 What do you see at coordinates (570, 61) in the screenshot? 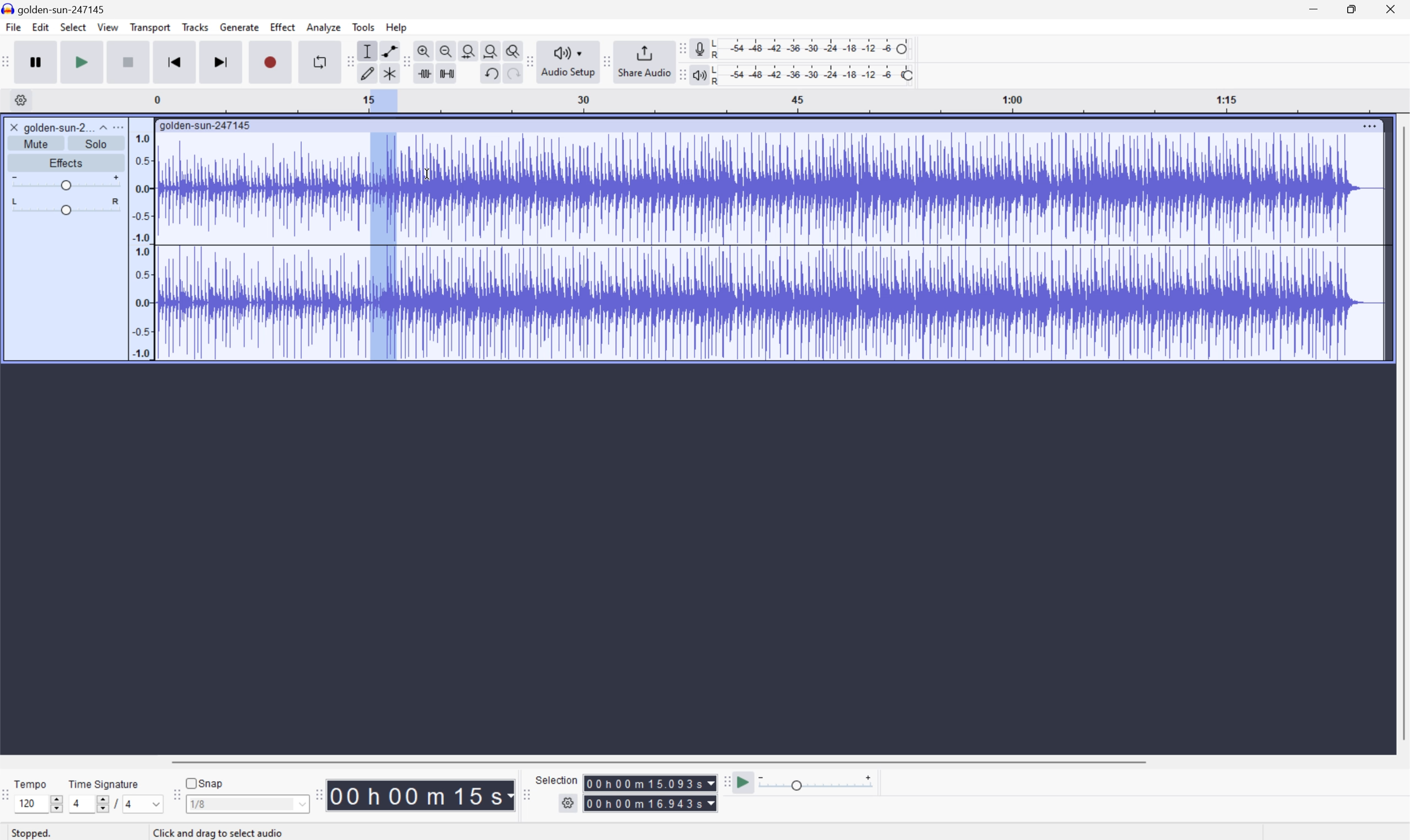
I see `Audio setup` at bounding box center [570, 61].